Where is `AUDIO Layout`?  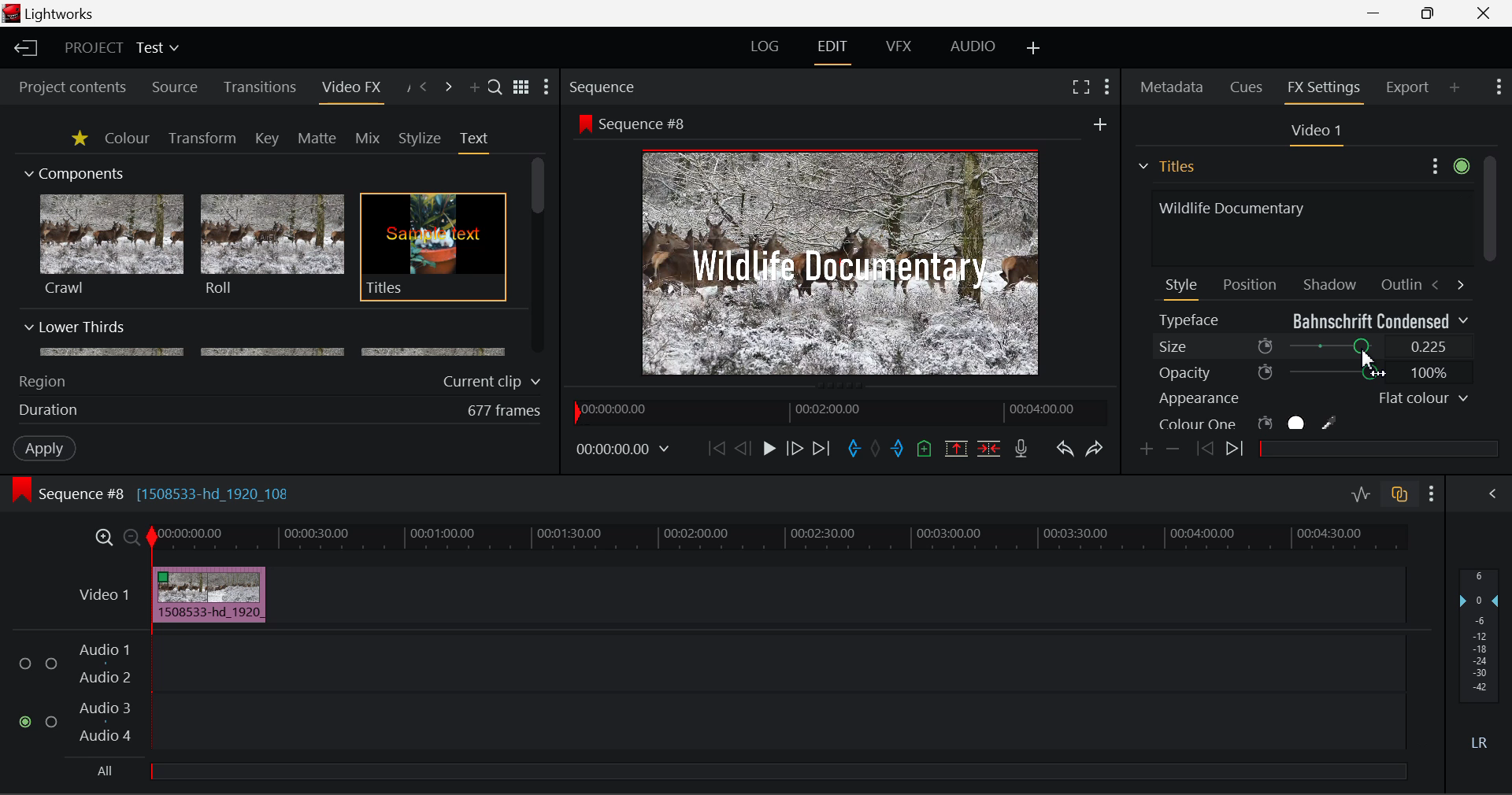 AUDIO Layout is located at coordinates (972, 48).